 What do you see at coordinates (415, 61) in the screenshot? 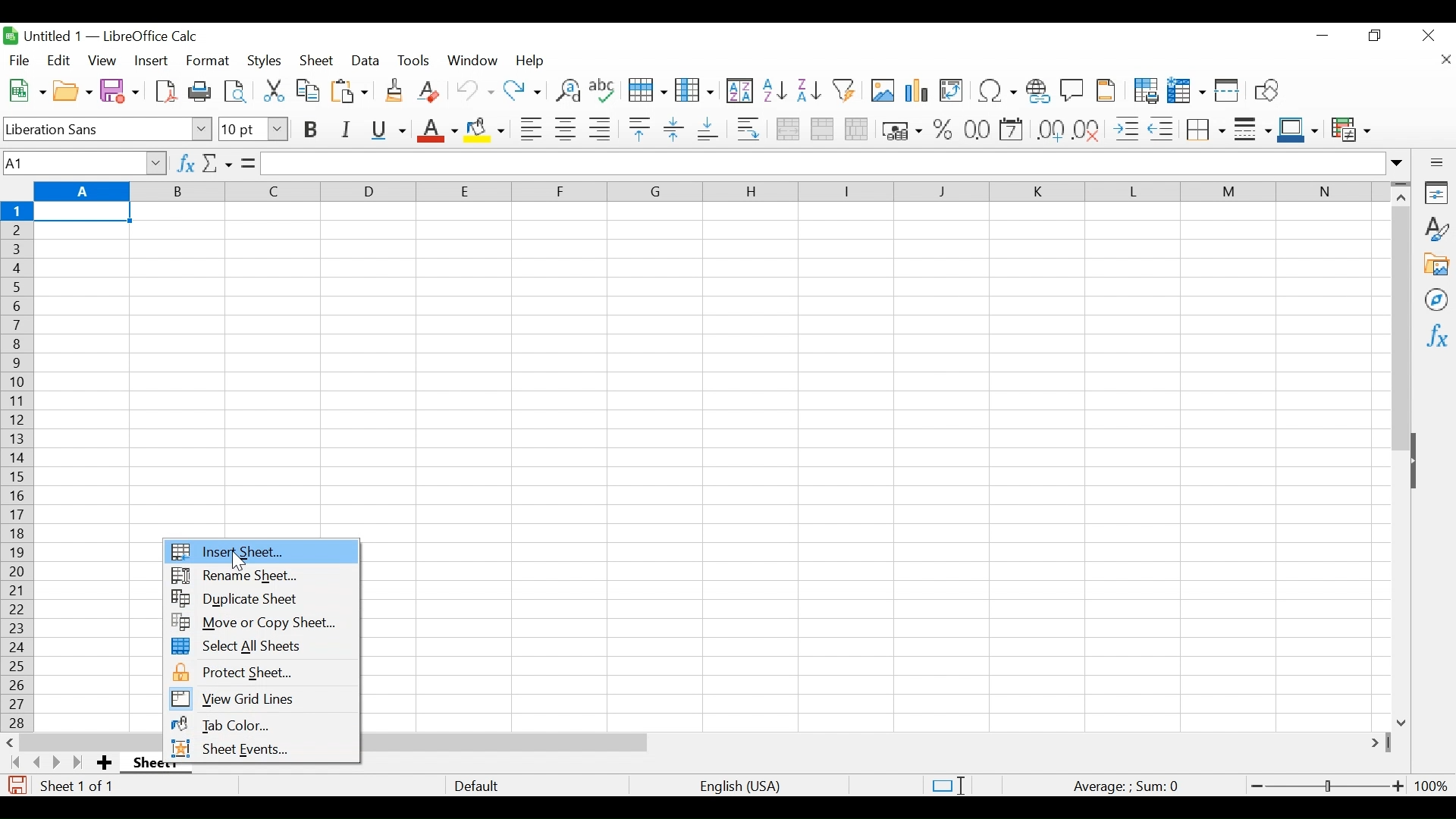
I see `Tools` at bounding box center [415, 61].